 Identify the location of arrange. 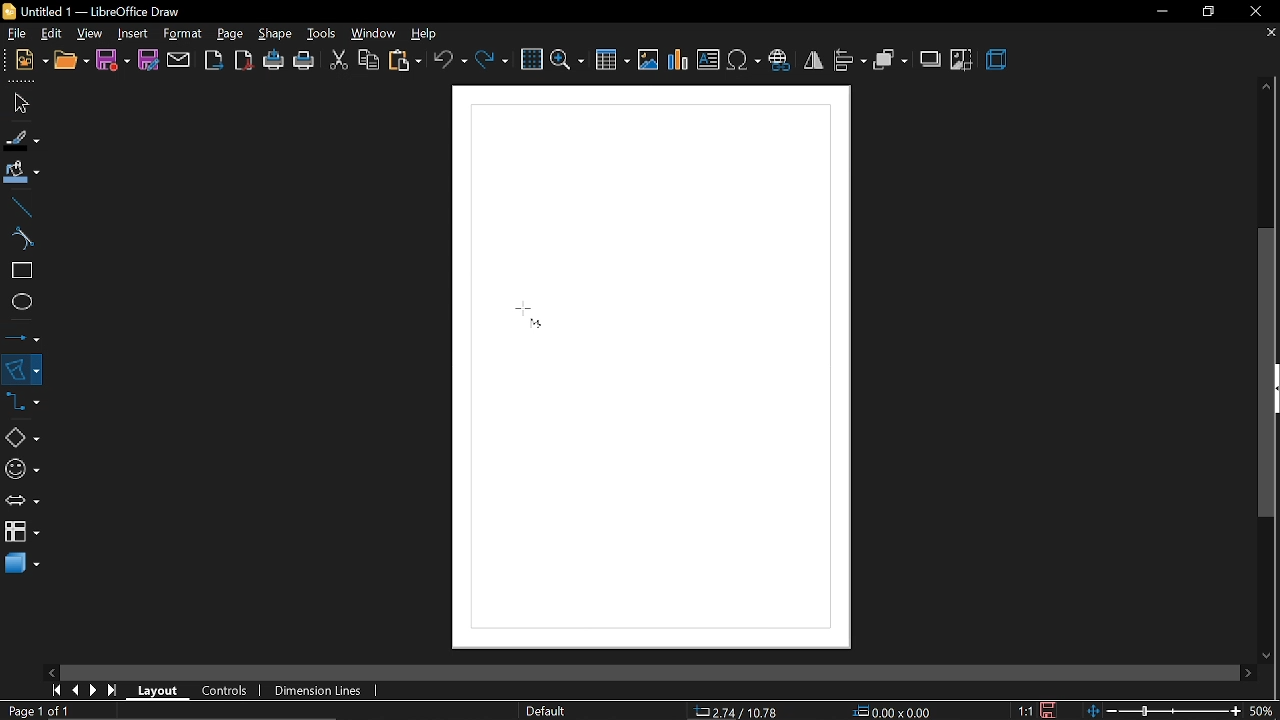
(890, 59).